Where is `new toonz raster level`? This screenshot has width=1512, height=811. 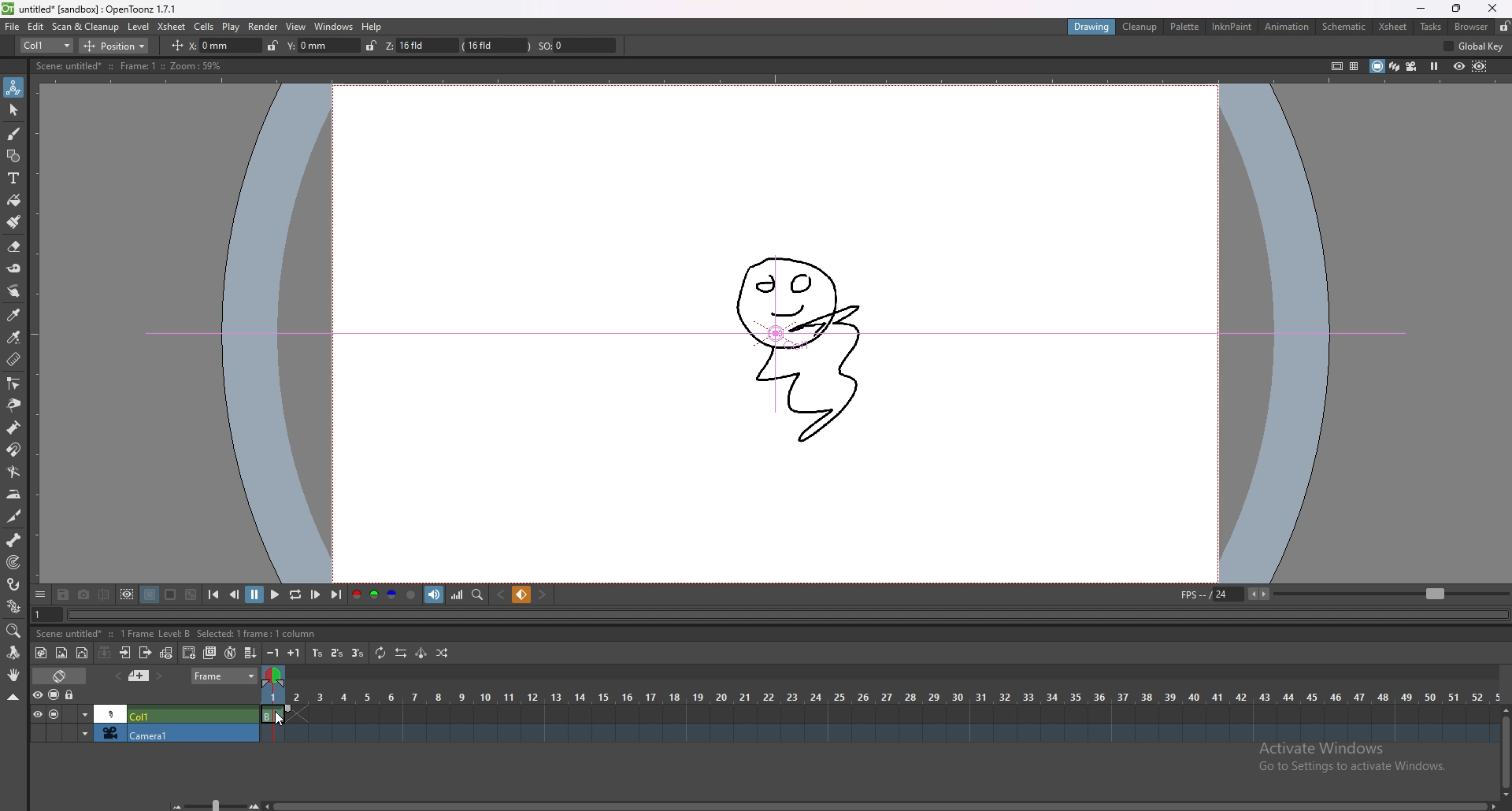 new toonz raster level is located at coordinates (42, 654).